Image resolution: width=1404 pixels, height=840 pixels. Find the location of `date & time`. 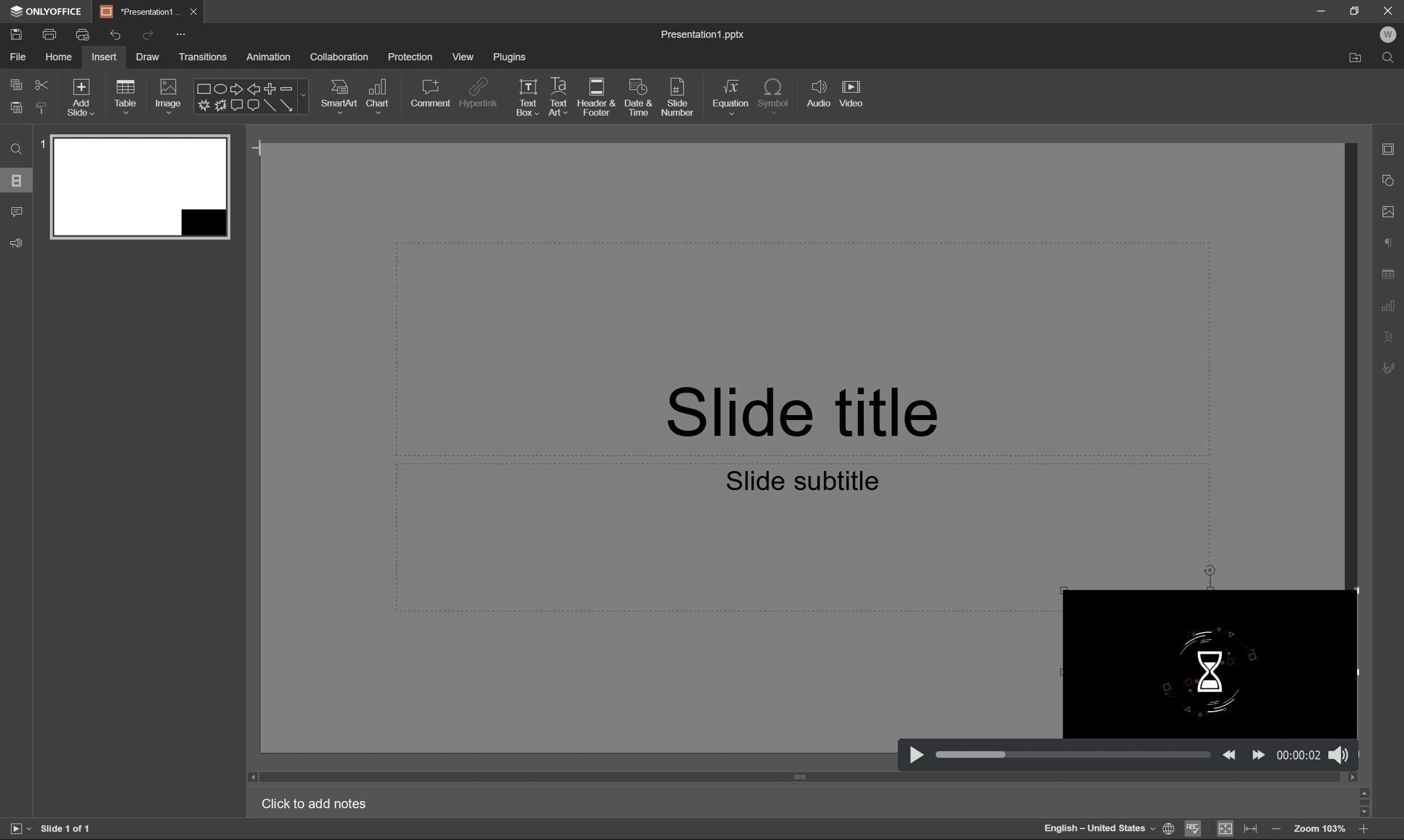

date & time is located at coordinates (638, 98).